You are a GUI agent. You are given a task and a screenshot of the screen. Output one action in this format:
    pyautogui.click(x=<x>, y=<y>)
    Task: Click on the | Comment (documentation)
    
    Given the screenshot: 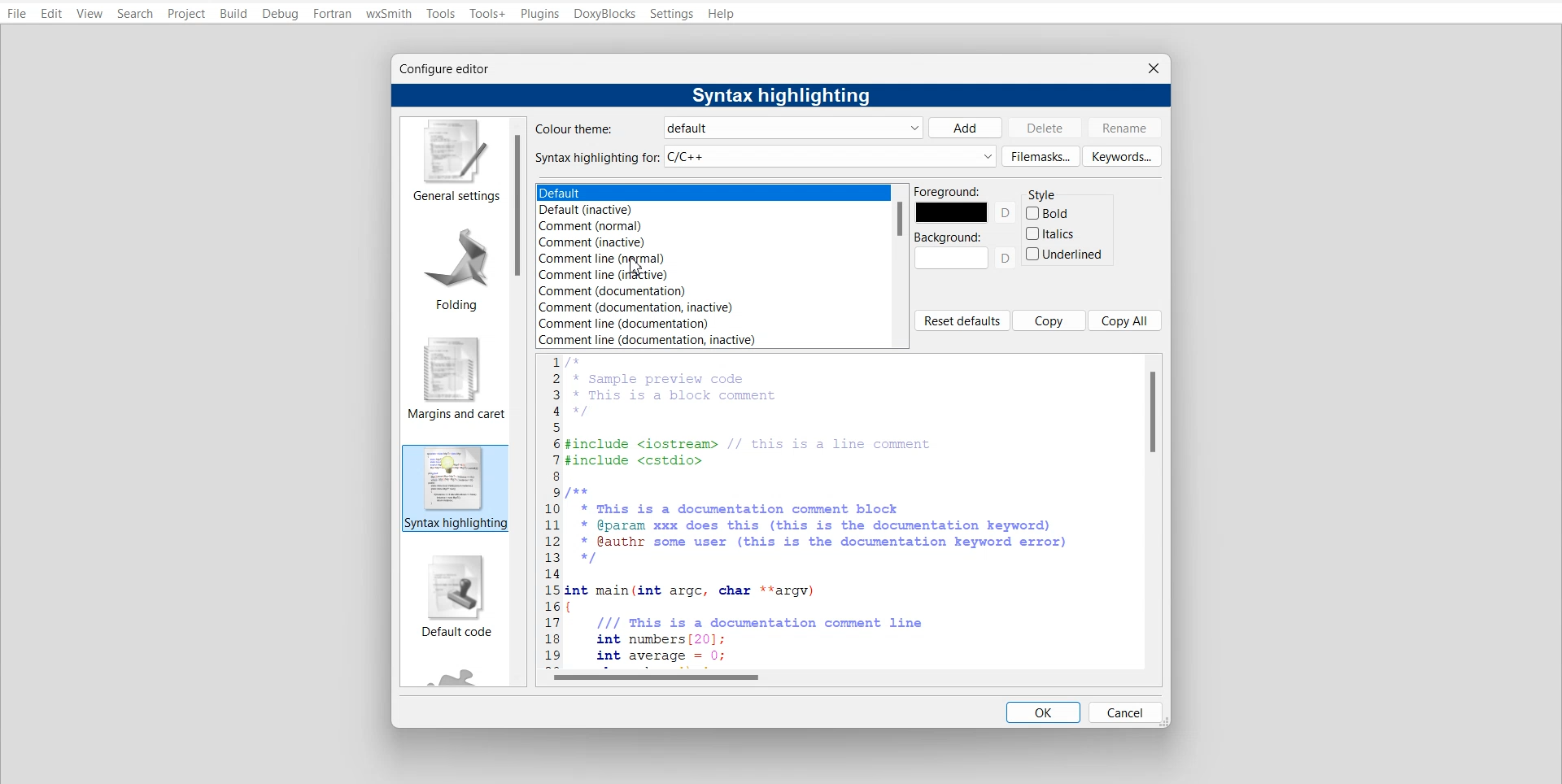 What is the action you would take?
    pyautogui.click(x=625, y=291)
    